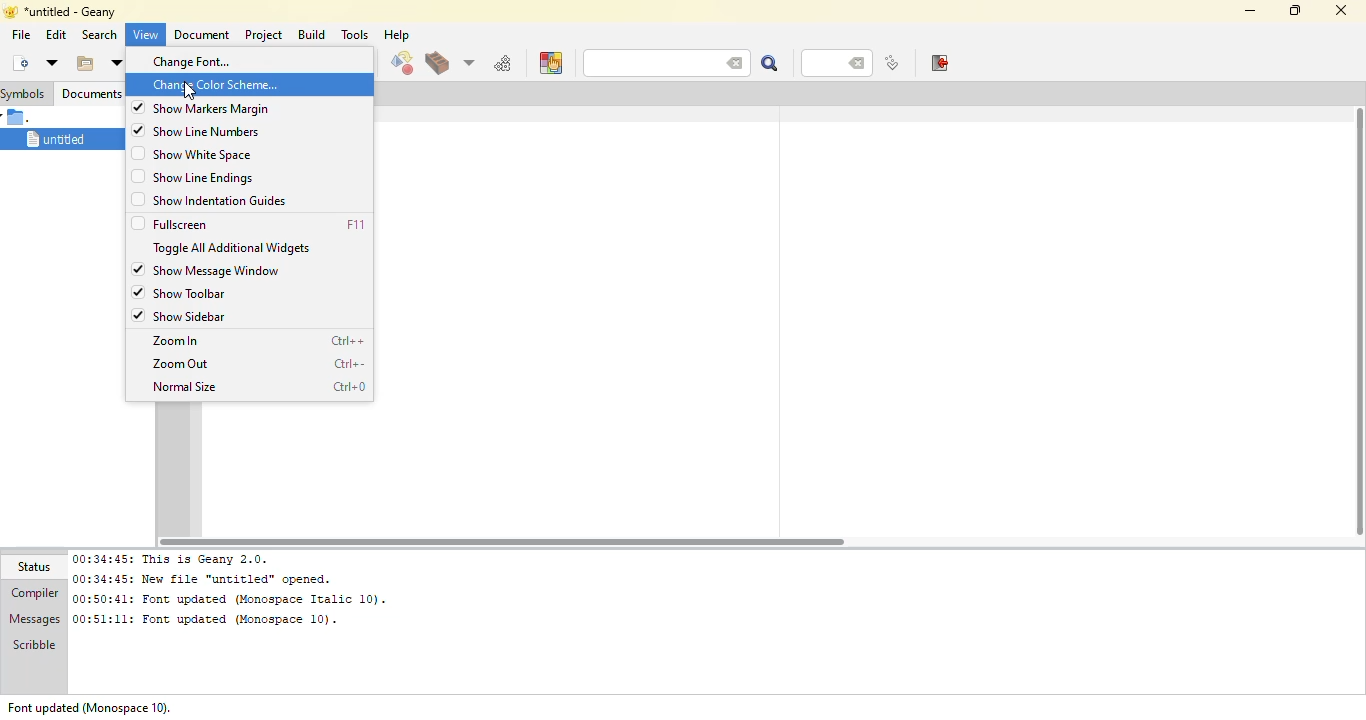 The image size is (1366, 720). What do you see at coordinates (848, 320) in the screenshot?
I see `workspace` at bounding box center [848, 320].